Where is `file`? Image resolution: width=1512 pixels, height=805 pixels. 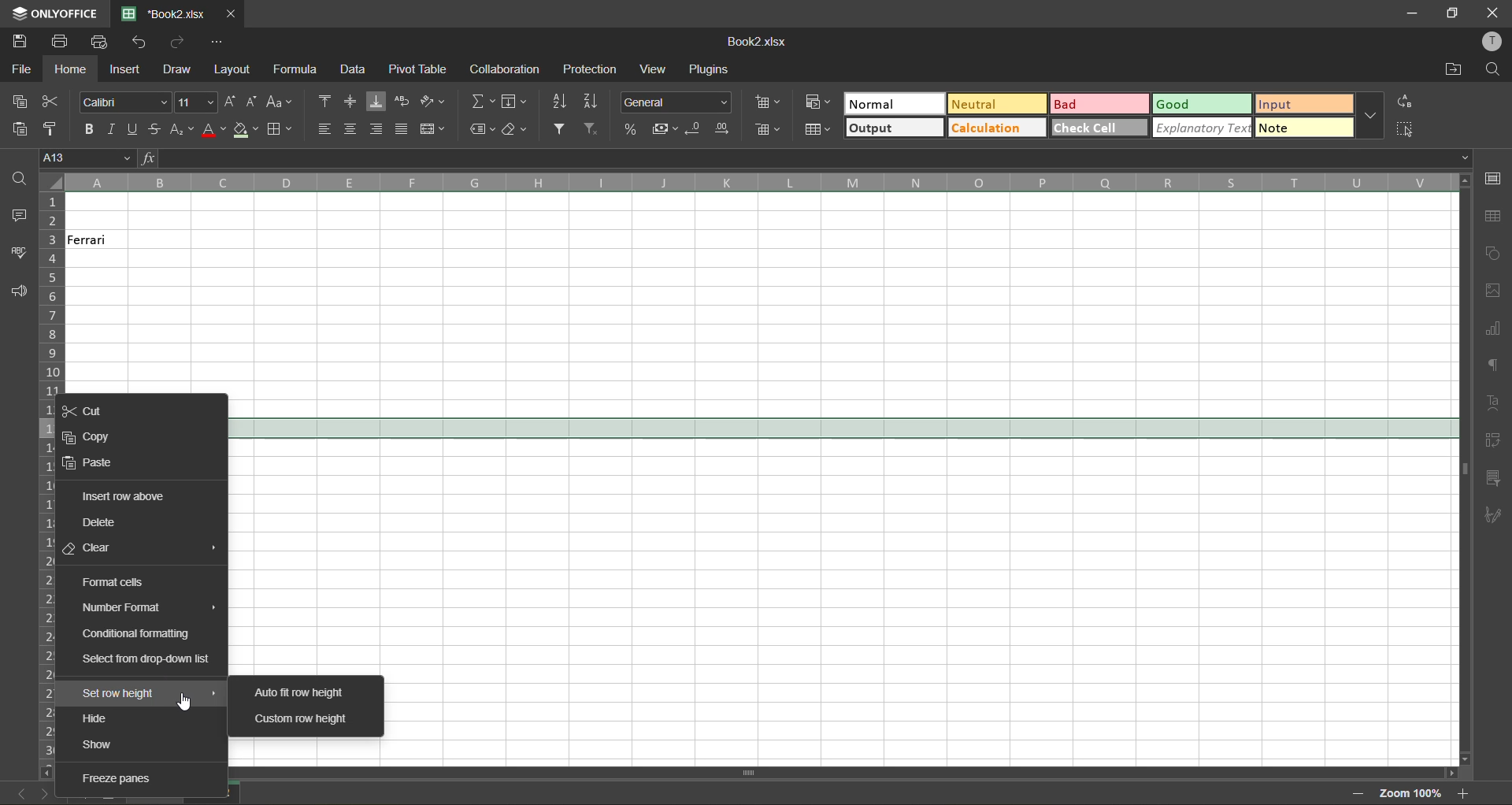 file is located at coordinates (23, 69).